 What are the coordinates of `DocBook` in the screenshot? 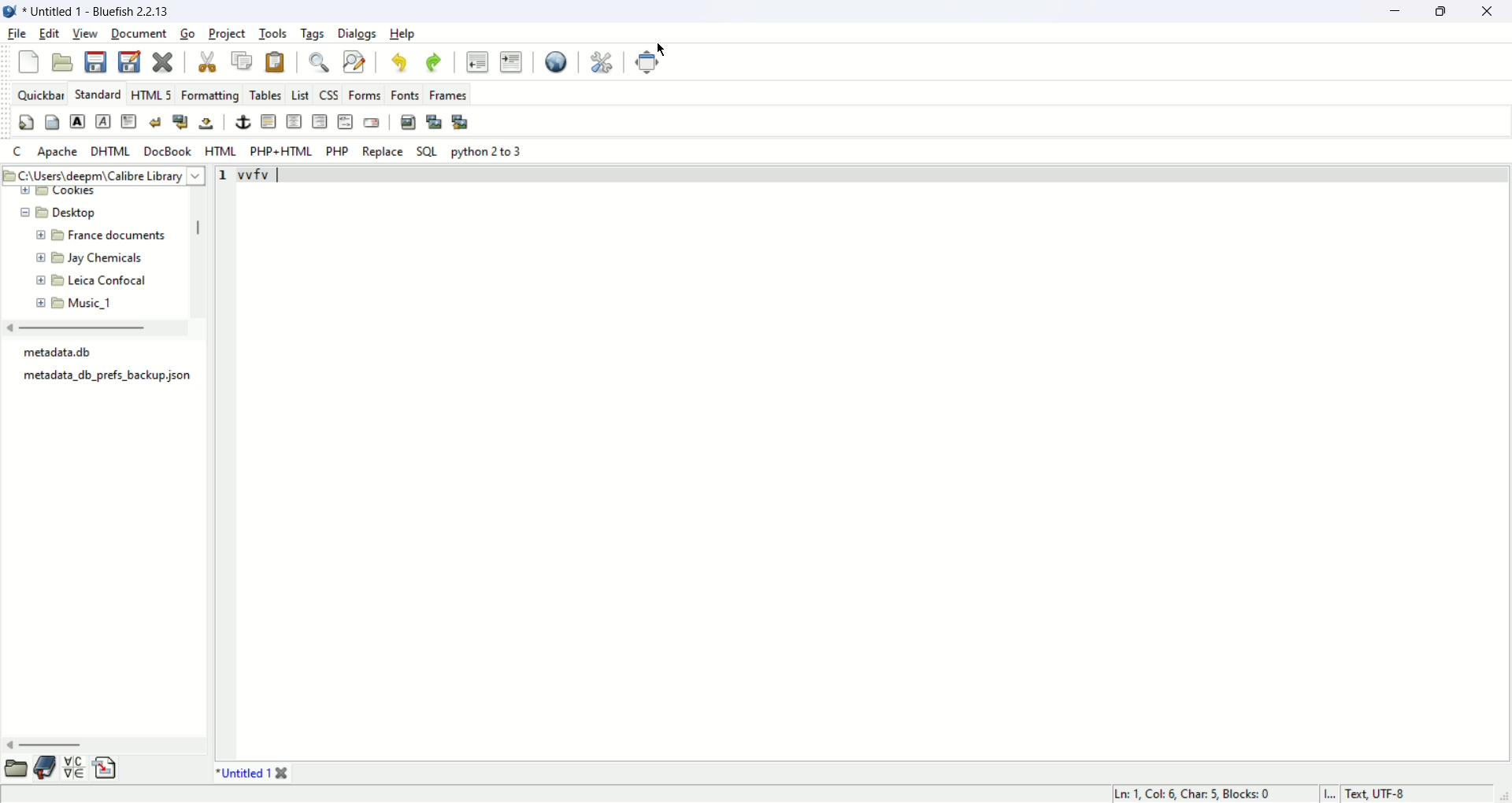 It's located at (166, 151).